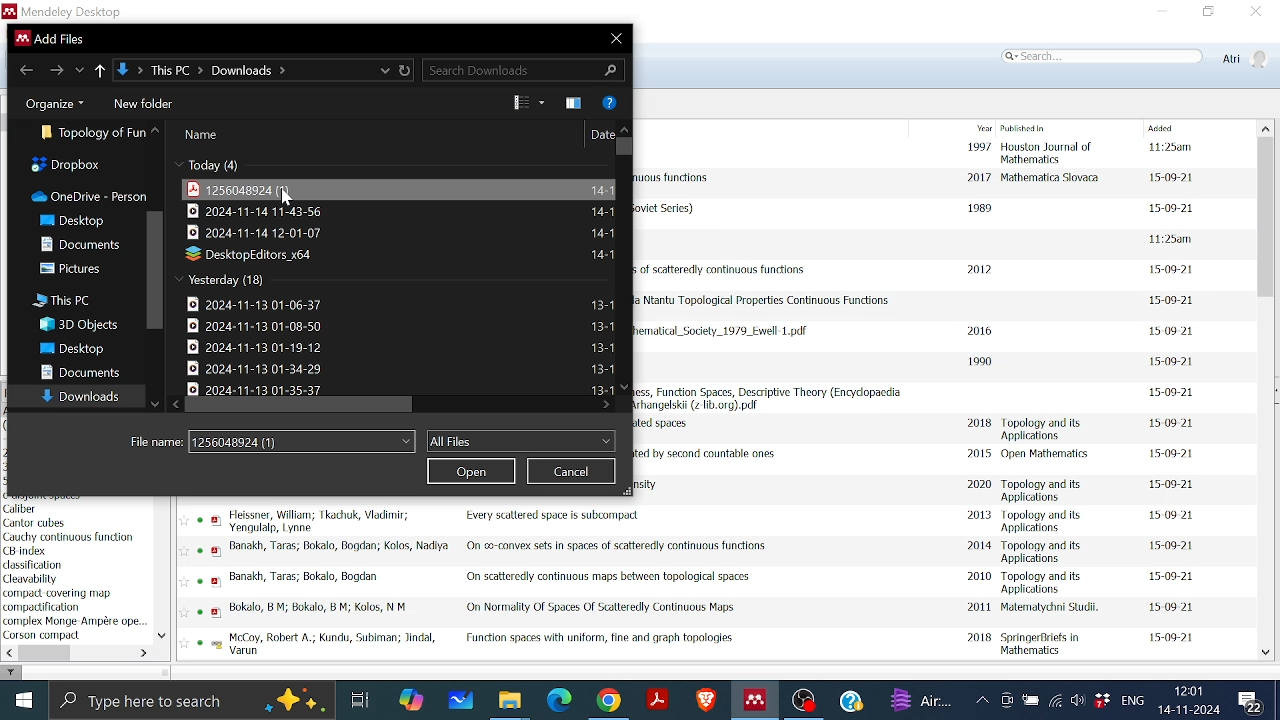 This screenshot has width=1280, height=720. I want to click on name, so click(212, 135).